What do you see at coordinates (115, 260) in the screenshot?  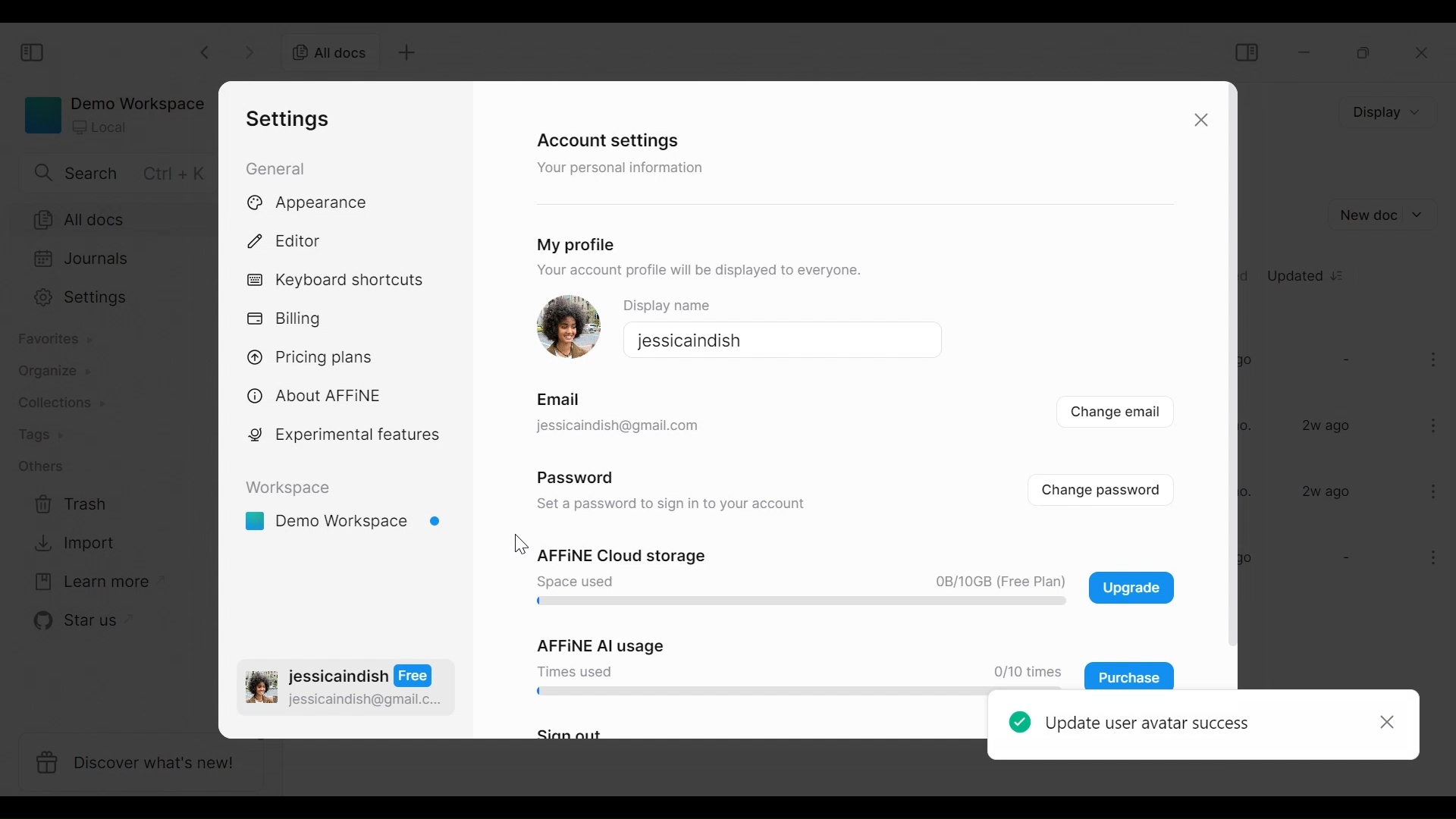 I see `Journal` at bounding box center [115, 260].